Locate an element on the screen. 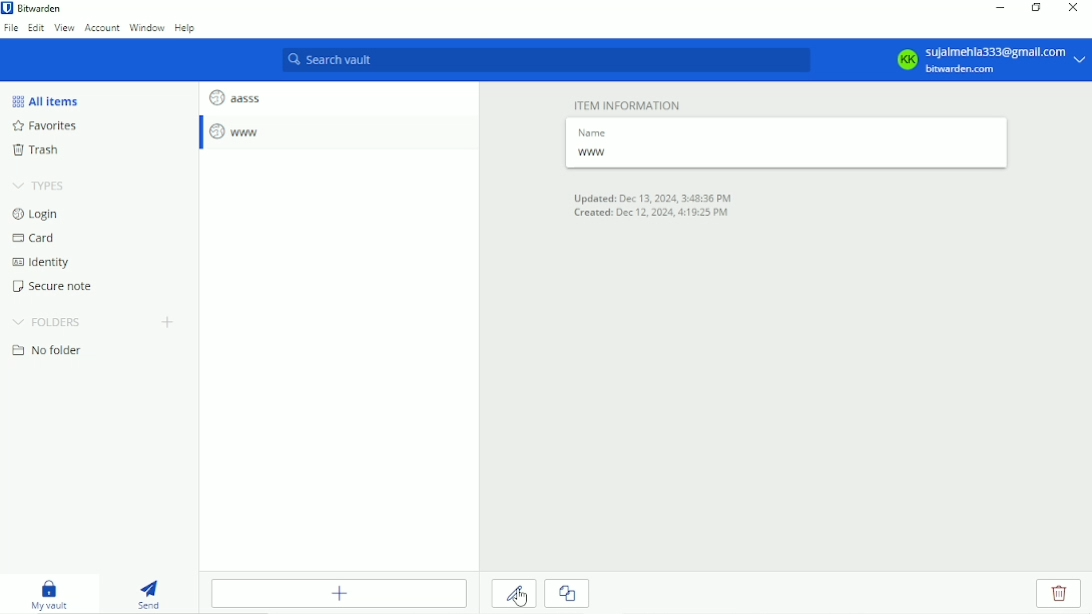 The width and height of the screenshot is (1092, 614). aasss is located at coordinates (234, 95).